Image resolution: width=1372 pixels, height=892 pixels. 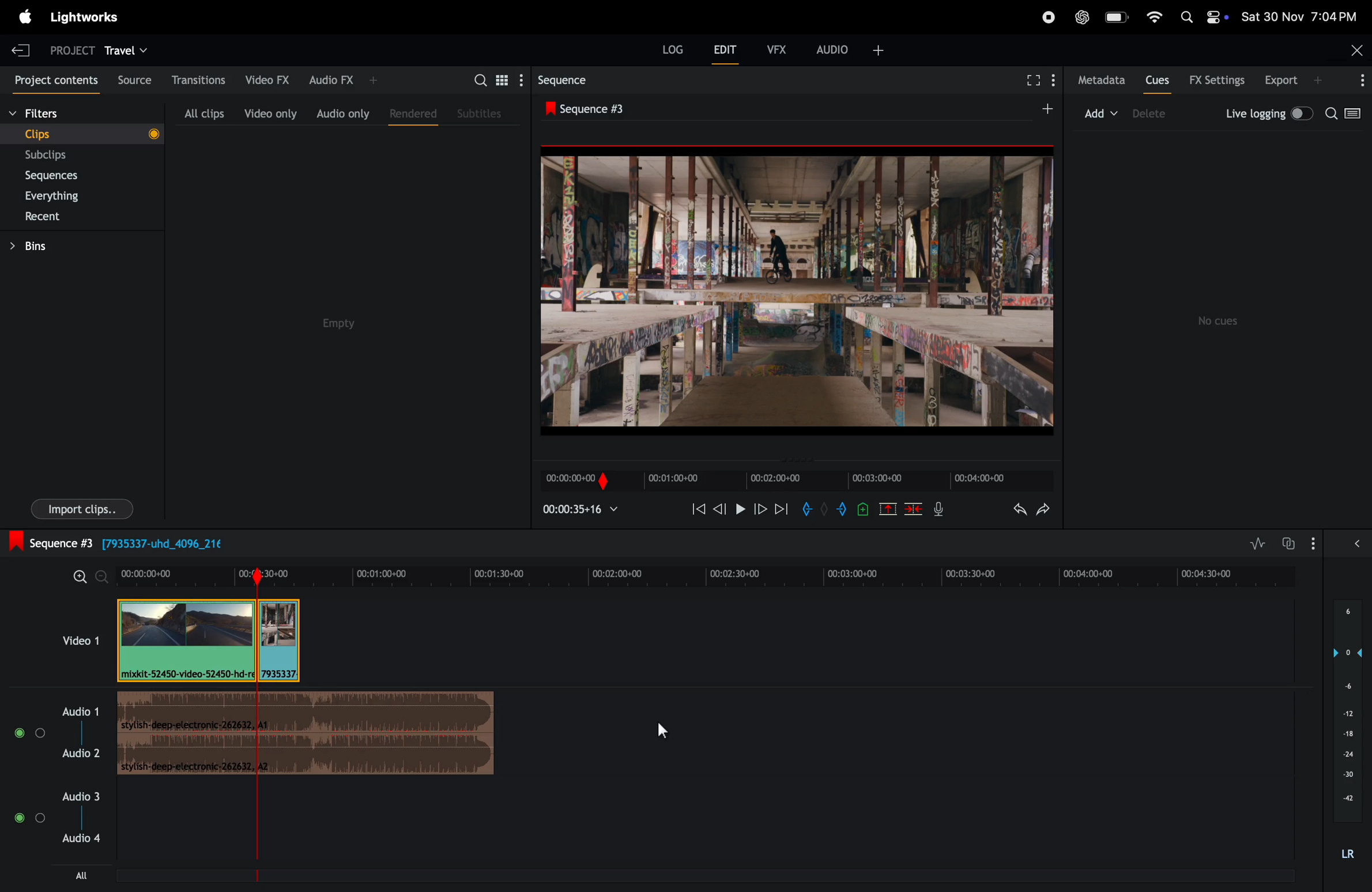 What do you see at coordinates (203, 110) in the screenshot?
I see `all clips` at bounding box center [203, 110].